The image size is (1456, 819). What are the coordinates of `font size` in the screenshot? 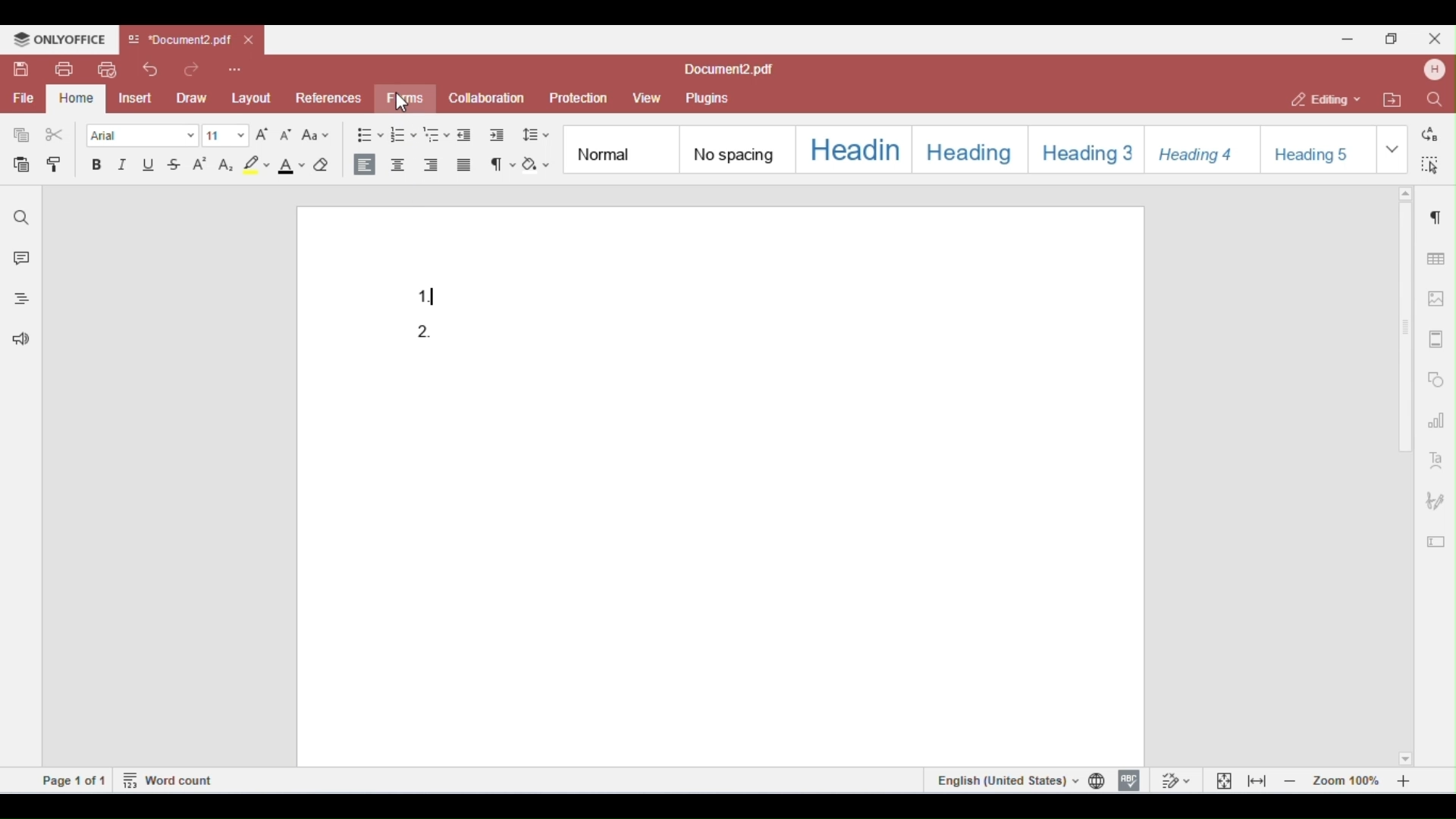 It's located at (226, 136).